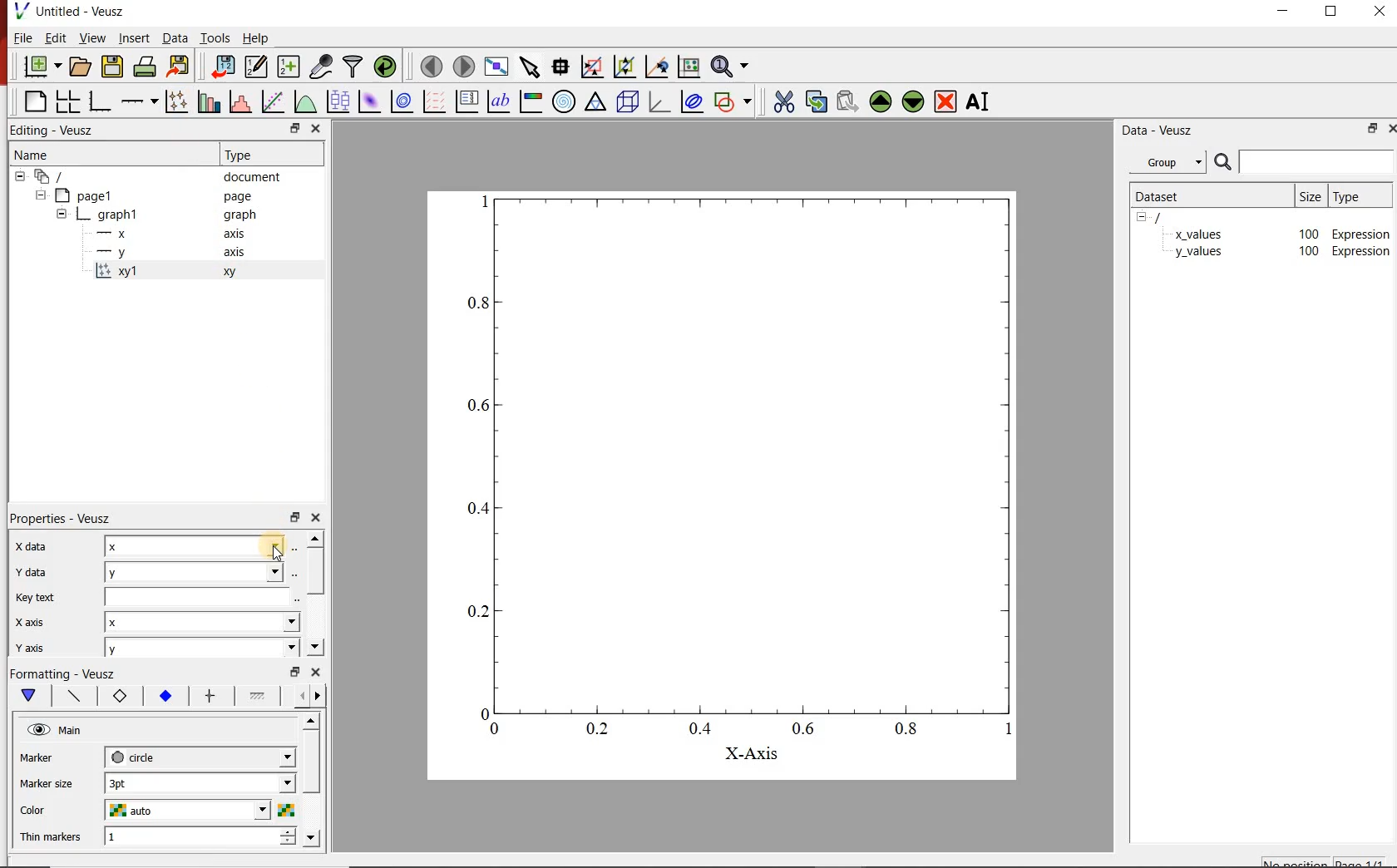  What do you see at coordinates (37, 572) in the screenshot?
I see `Y data` at bounding box center [37, 572].